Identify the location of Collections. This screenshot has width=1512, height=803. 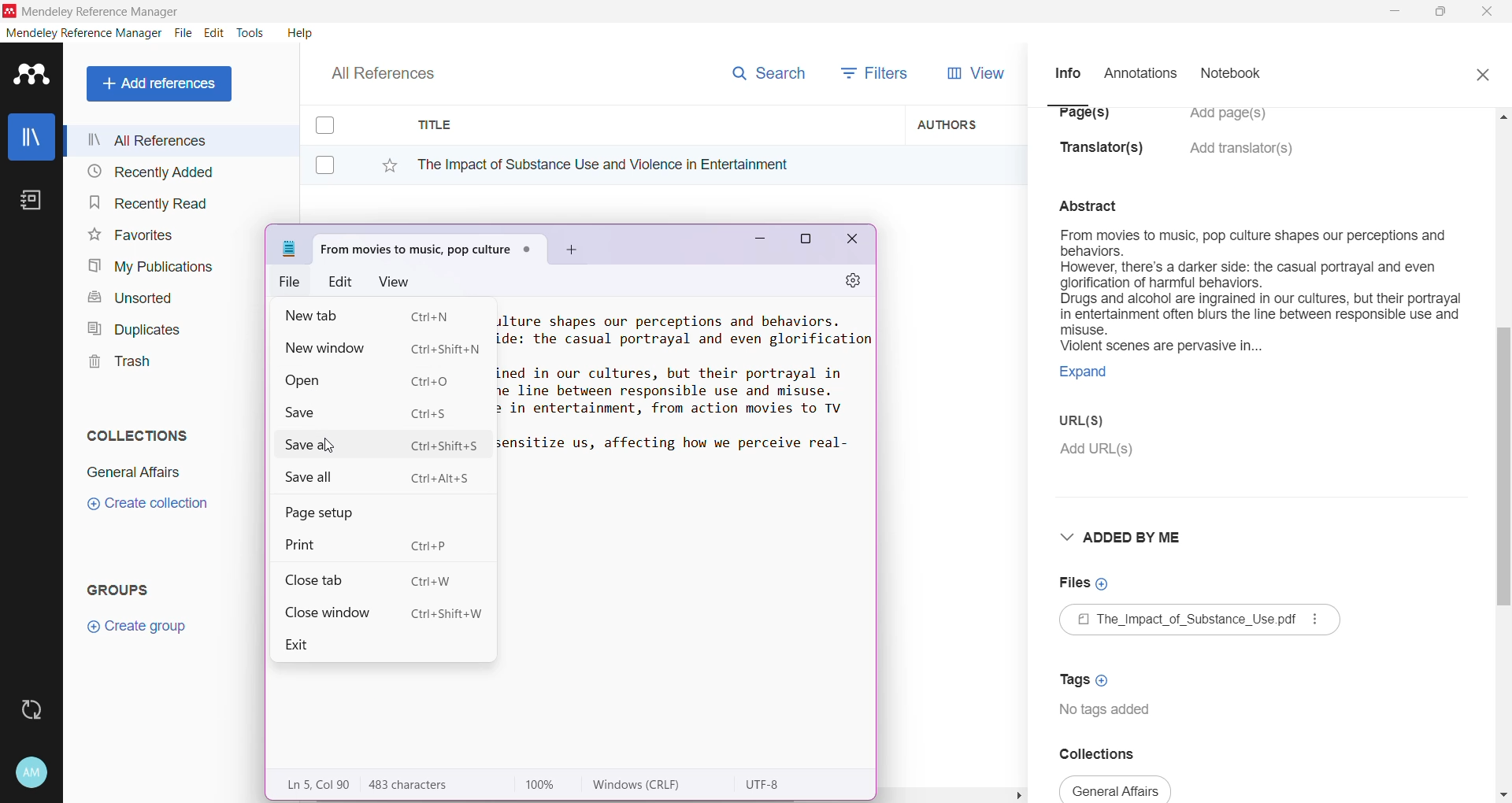
(1109, 753).